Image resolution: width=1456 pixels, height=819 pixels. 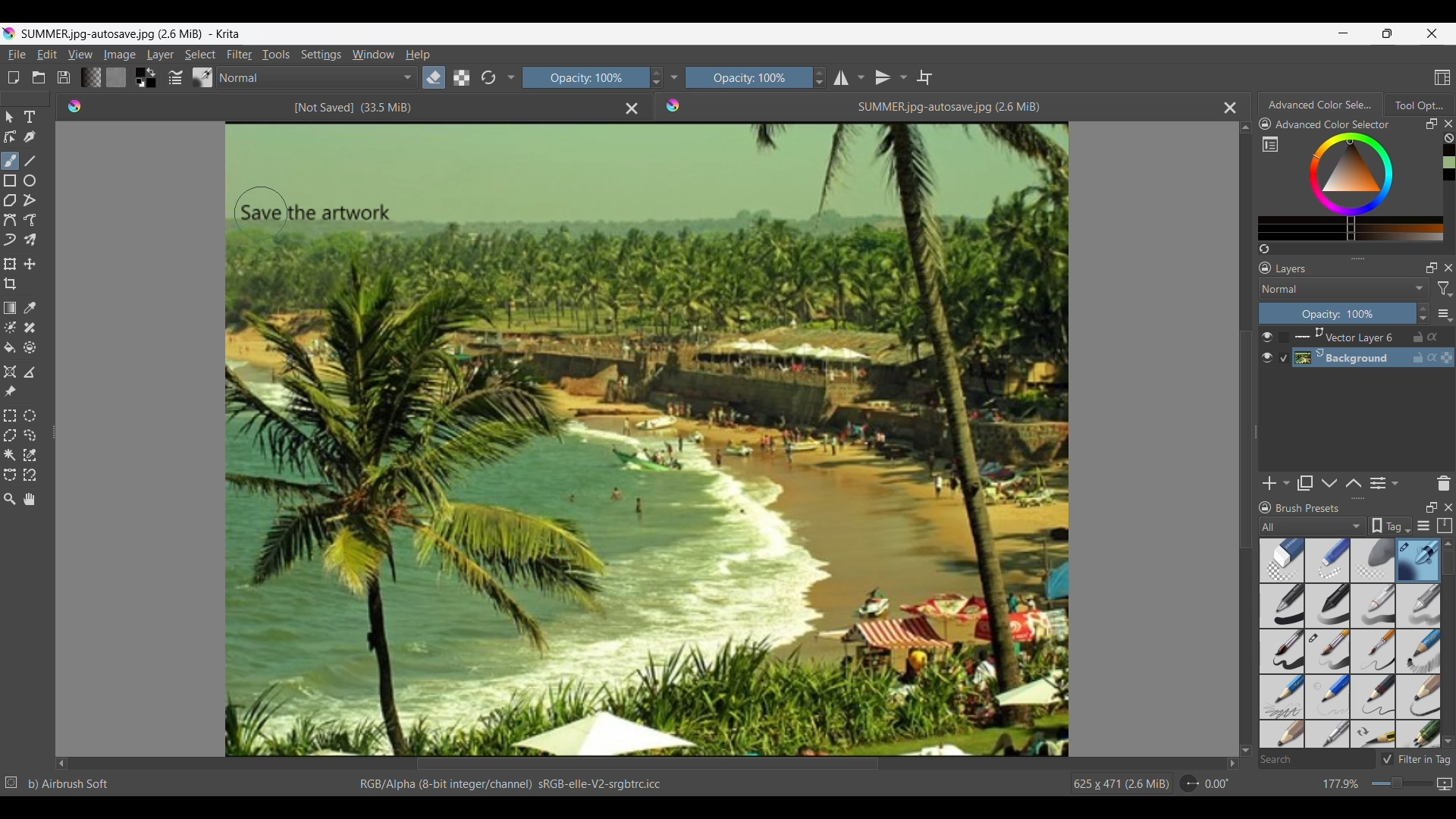 I want to click on Layer mode options, so click(x=1344, y=288).